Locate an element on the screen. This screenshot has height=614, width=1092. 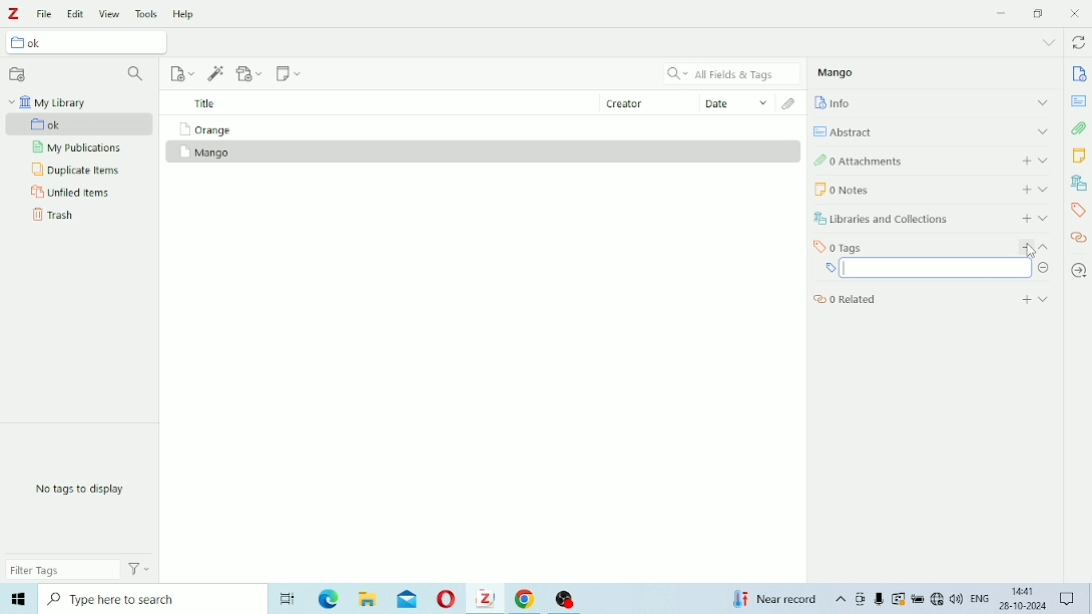
Trash is located at coordinates (56, 214).